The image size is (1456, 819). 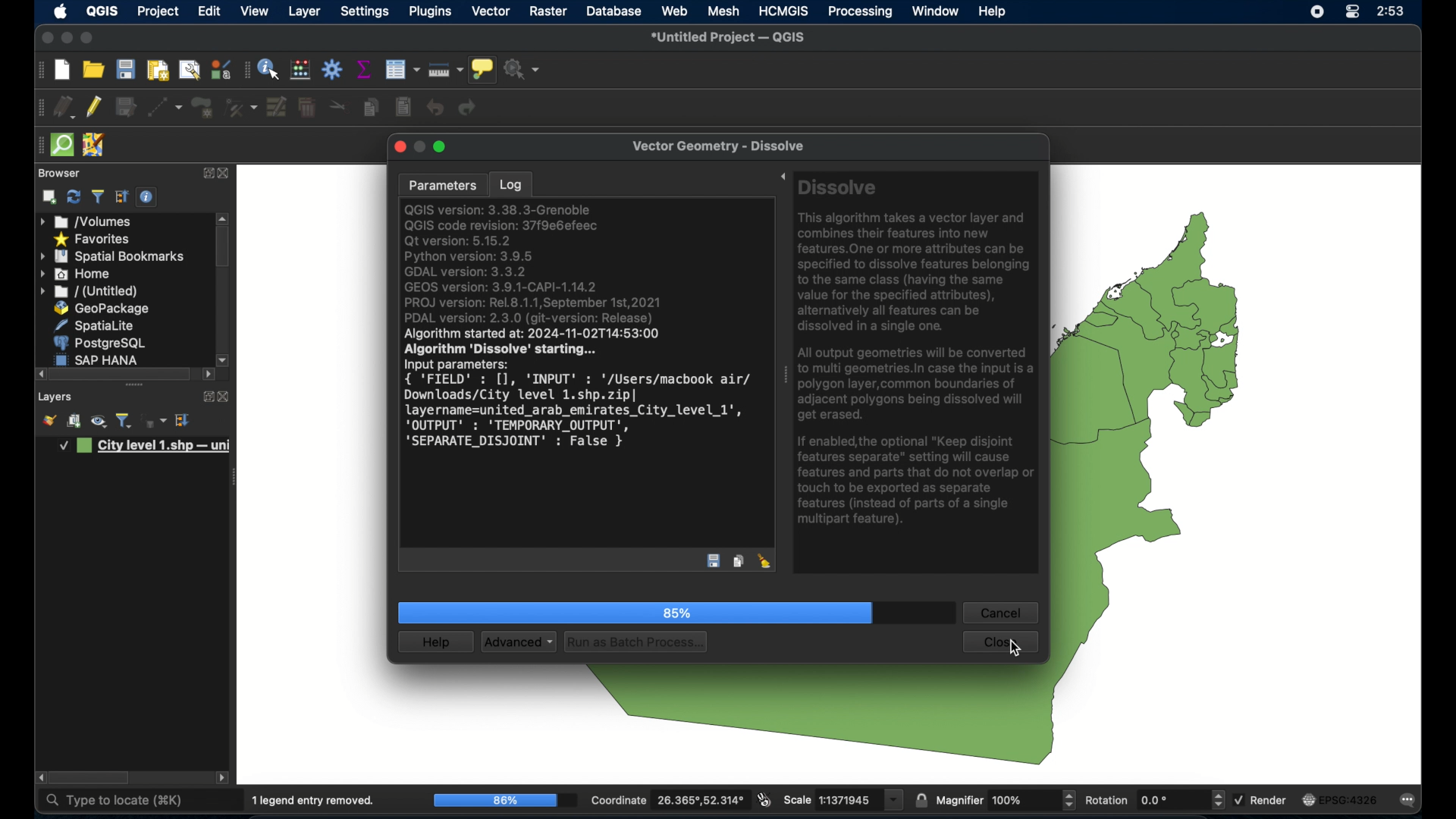 What do you see at coordinates (1263, 800) in the screenshot?
I see `render` at bounding box center [1263, 800].